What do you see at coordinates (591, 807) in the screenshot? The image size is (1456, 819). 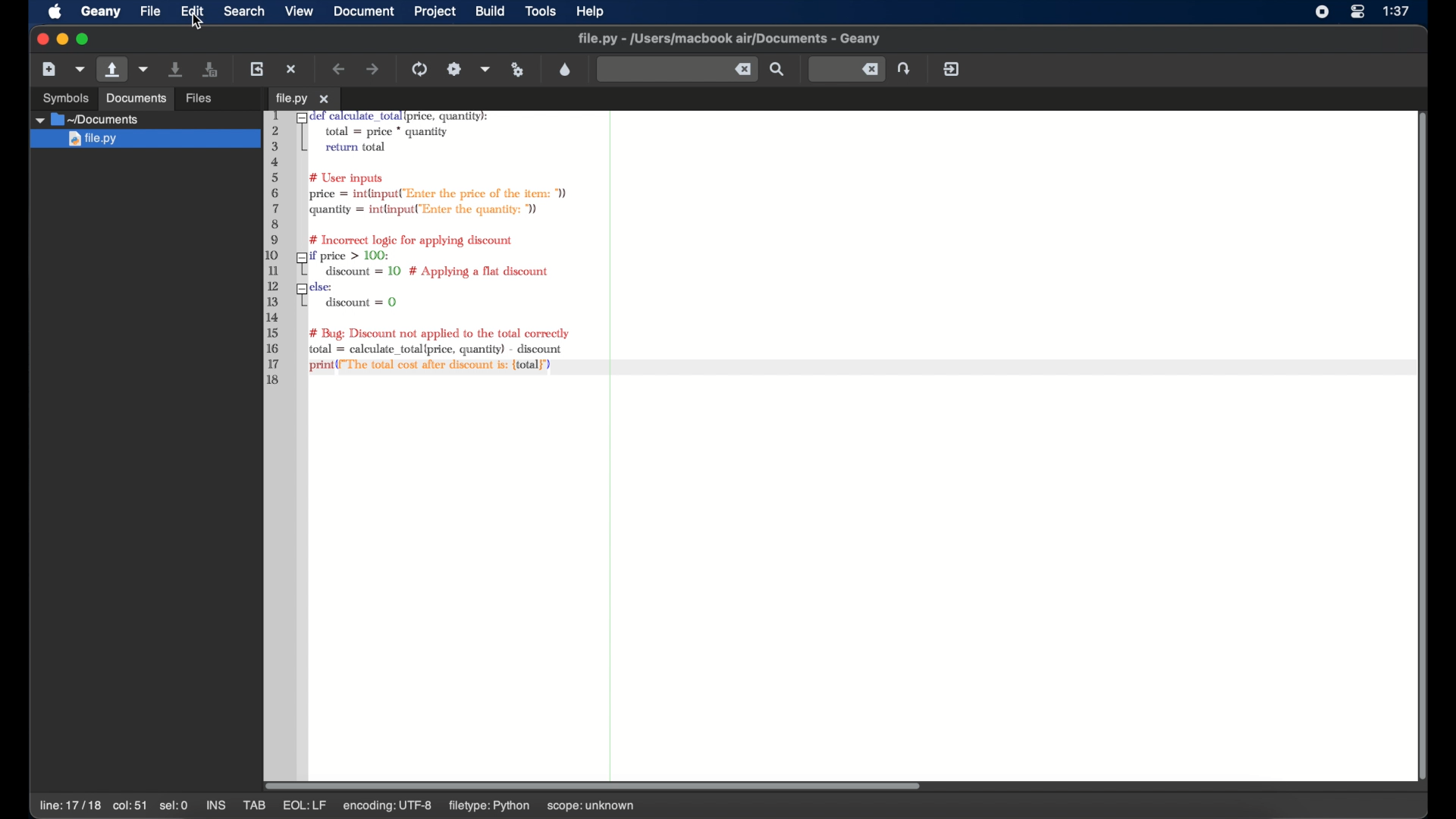 I see `scope: unknown` at bounding box center [591, 807].